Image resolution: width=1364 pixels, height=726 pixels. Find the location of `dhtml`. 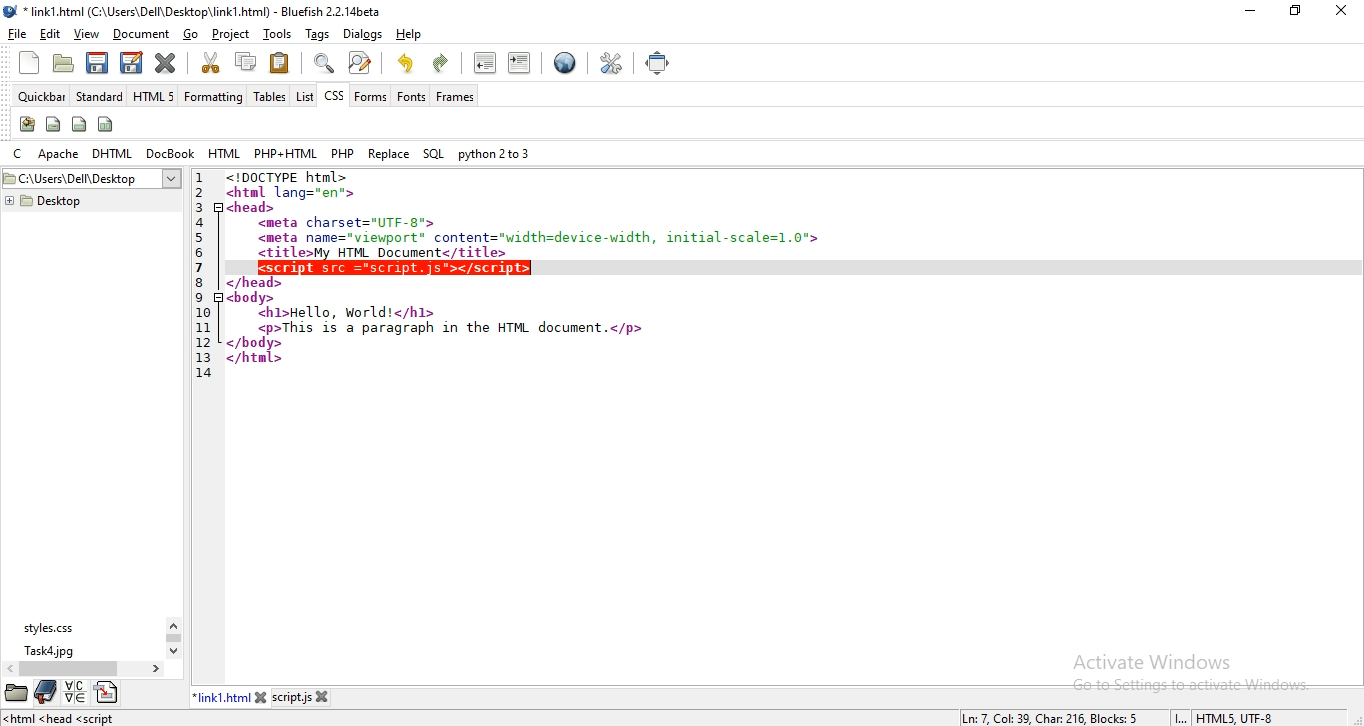

dhtml is located at coordinates (112, 154).